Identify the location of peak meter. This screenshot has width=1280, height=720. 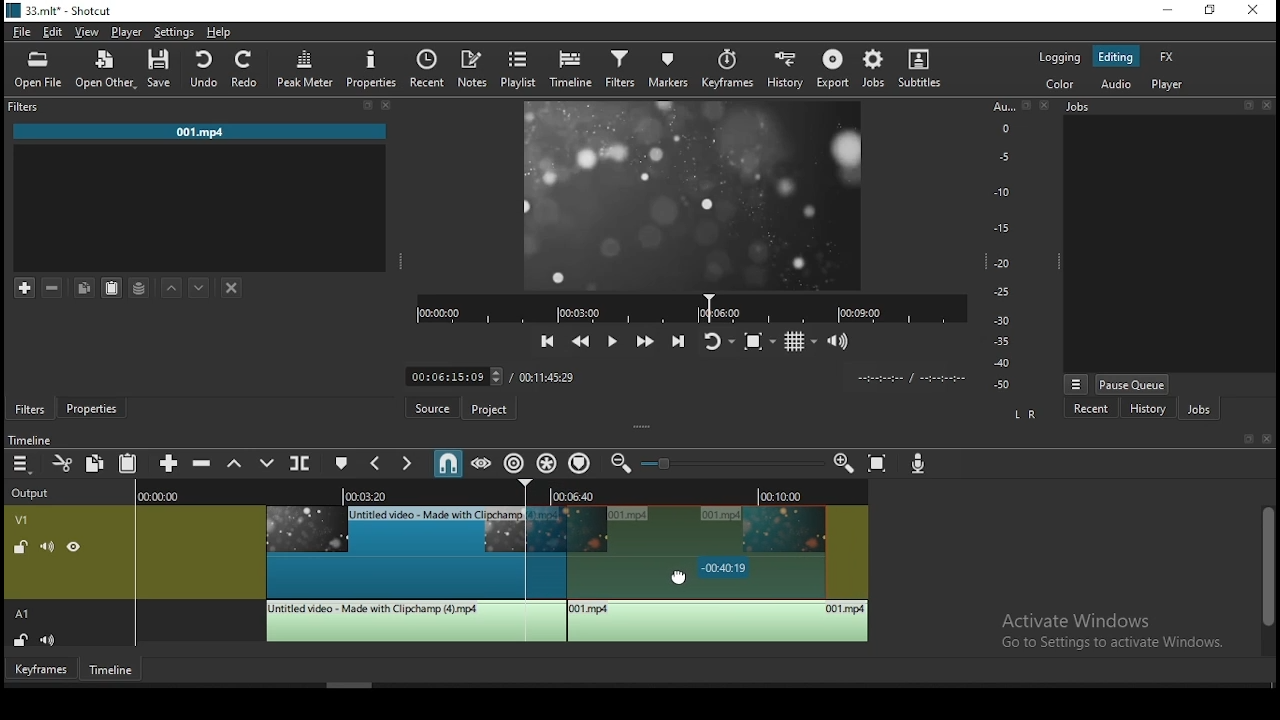
(304, 68).